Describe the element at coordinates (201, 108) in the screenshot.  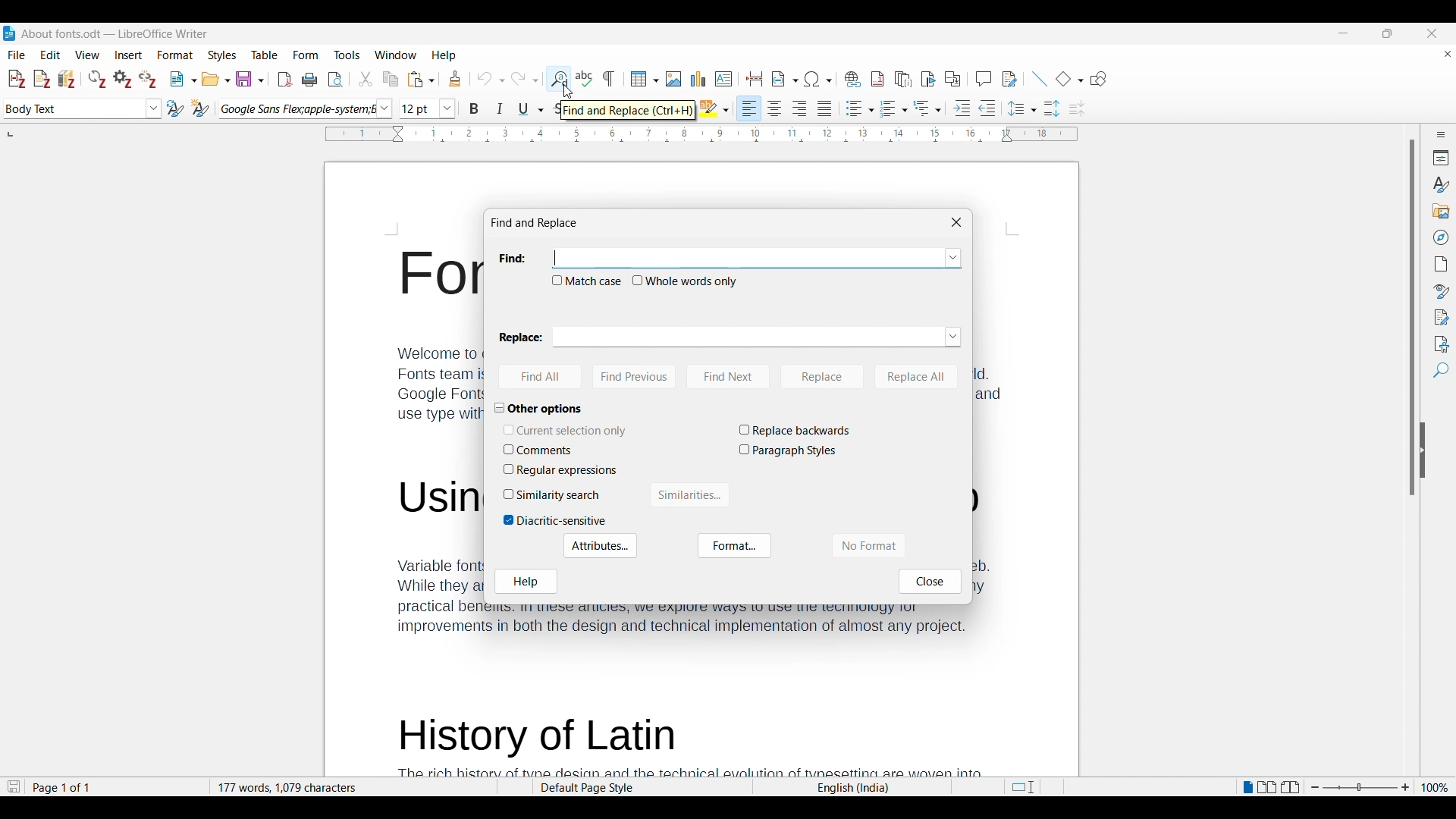
I see `New style from selection` at that location.